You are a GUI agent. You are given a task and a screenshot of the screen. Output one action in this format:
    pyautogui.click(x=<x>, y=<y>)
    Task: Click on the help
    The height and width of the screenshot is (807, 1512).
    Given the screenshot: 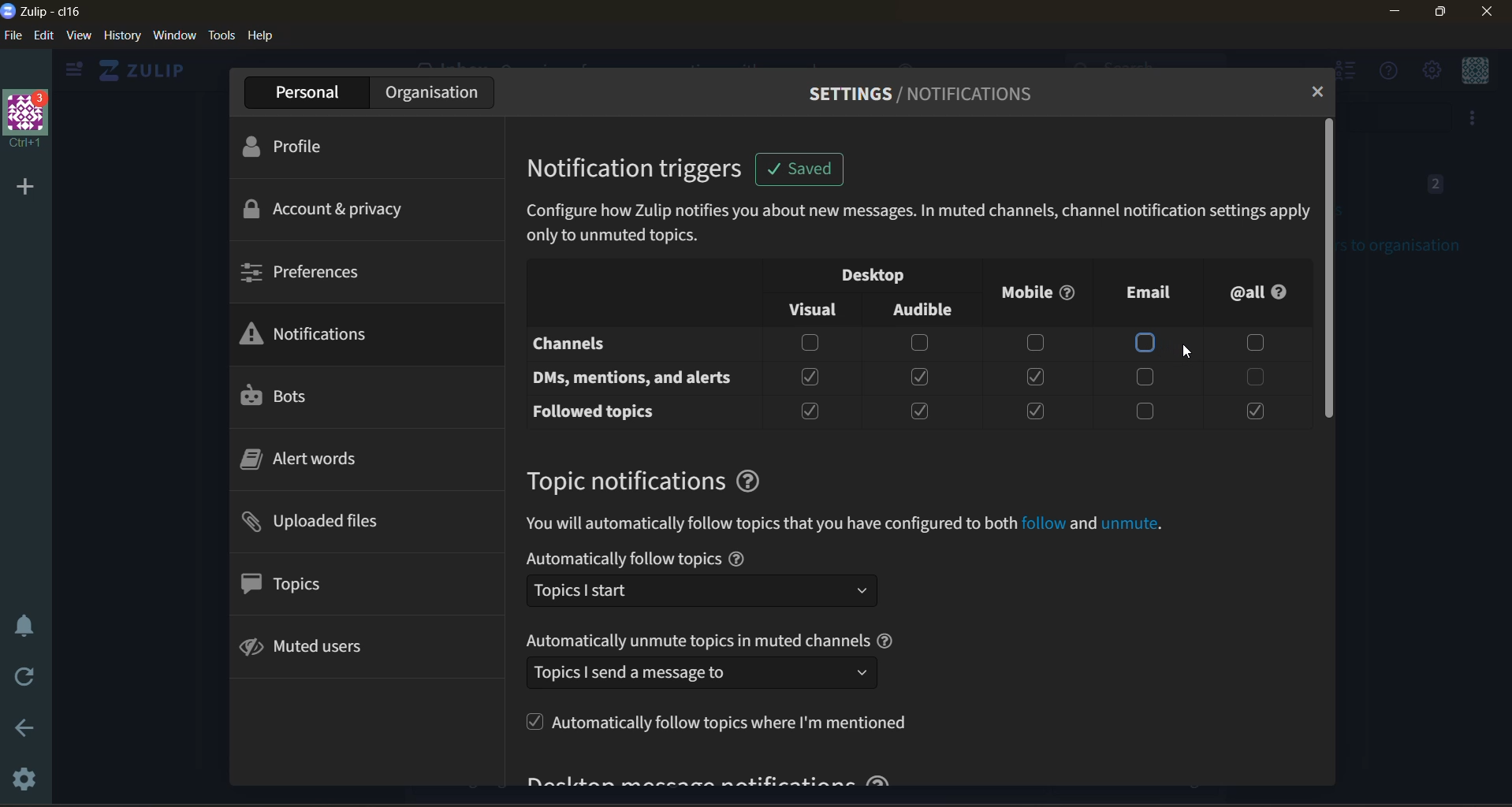 What is the action you would take?
    pyautogui.click(x=749, y=482)
    